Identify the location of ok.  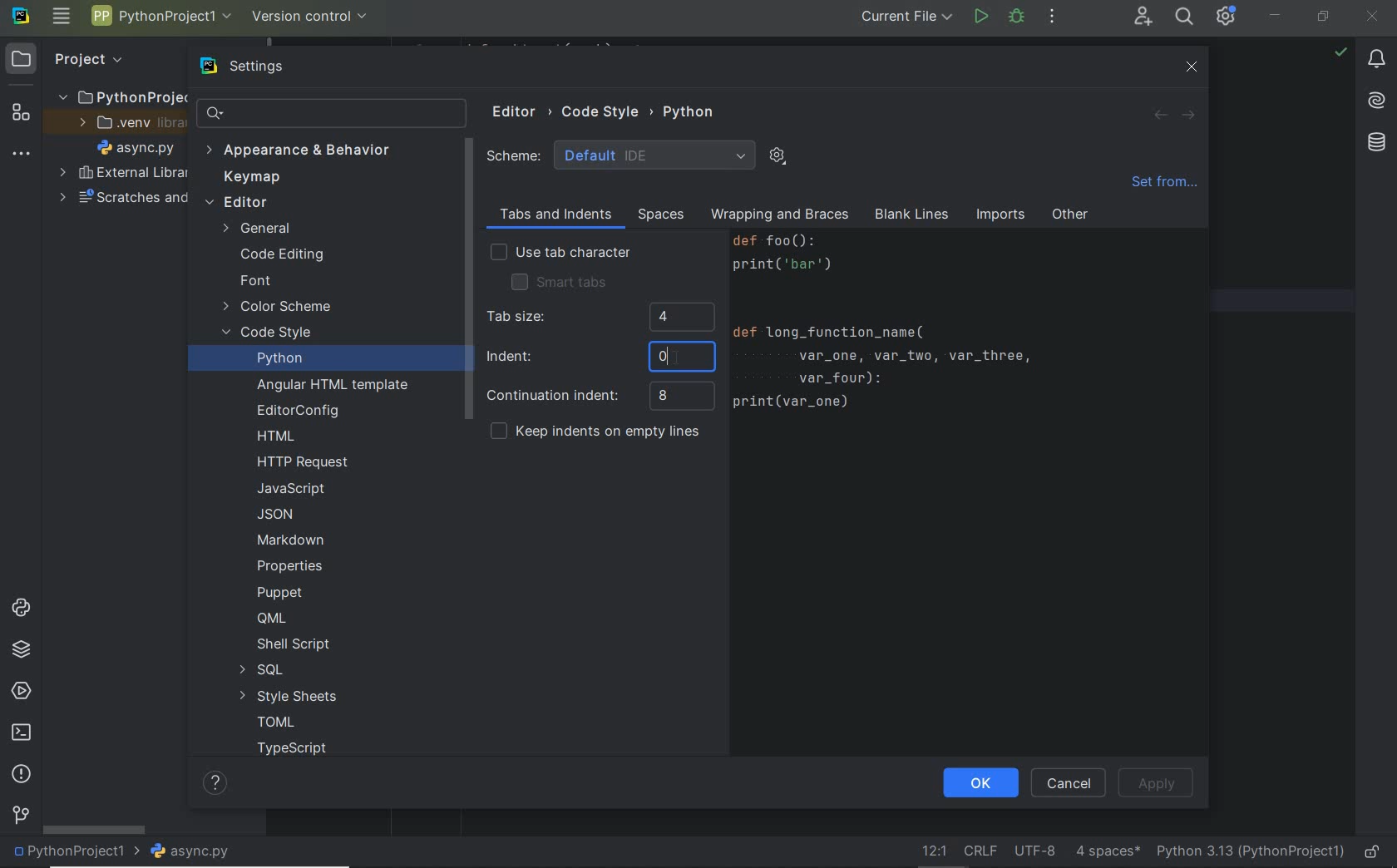
(980, 785).